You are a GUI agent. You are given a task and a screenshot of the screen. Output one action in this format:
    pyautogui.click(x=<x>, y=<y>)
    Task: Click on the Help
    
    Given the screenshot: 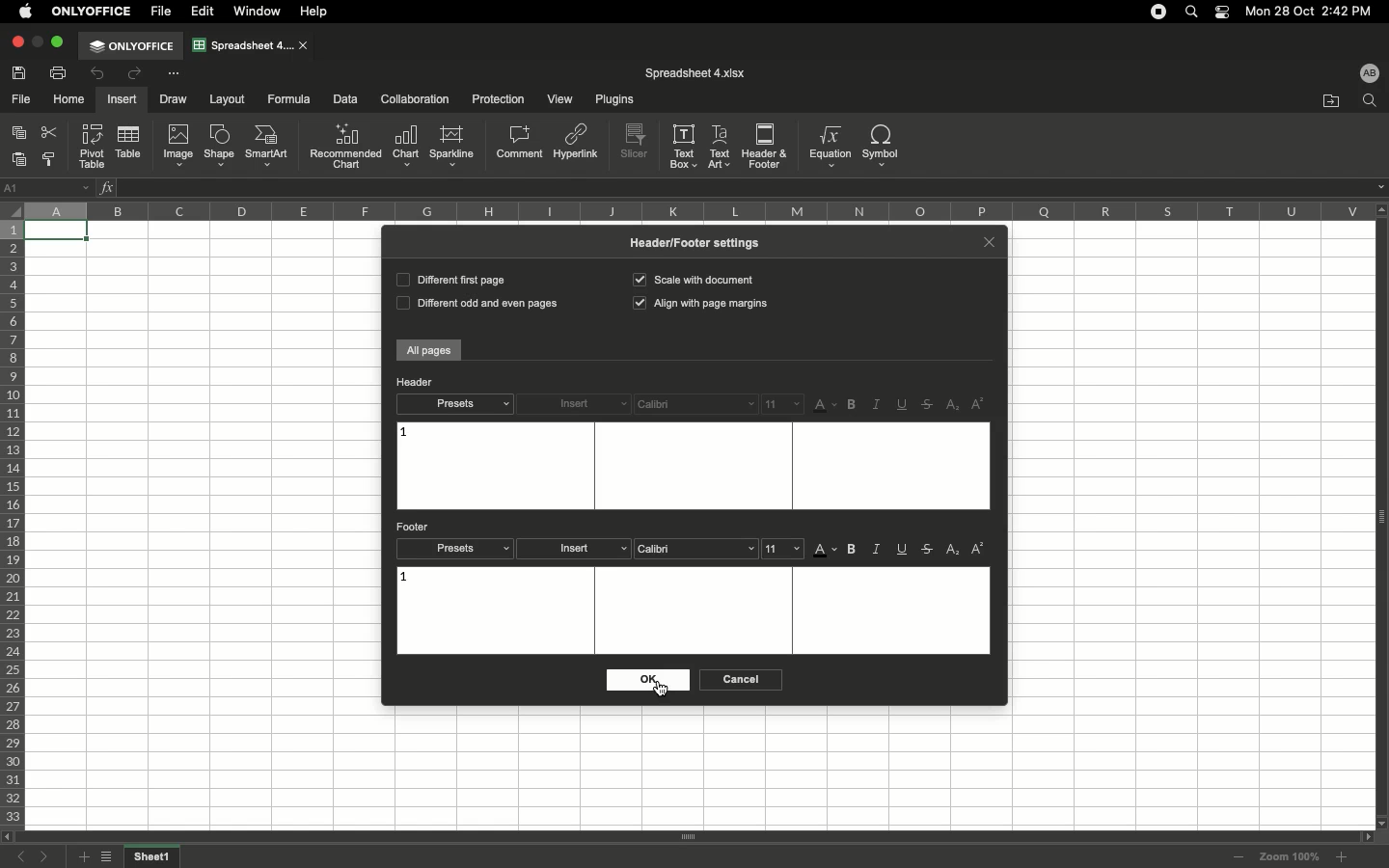 What is the action you would take?
    pyautogui.click(x=317, y=12)
    